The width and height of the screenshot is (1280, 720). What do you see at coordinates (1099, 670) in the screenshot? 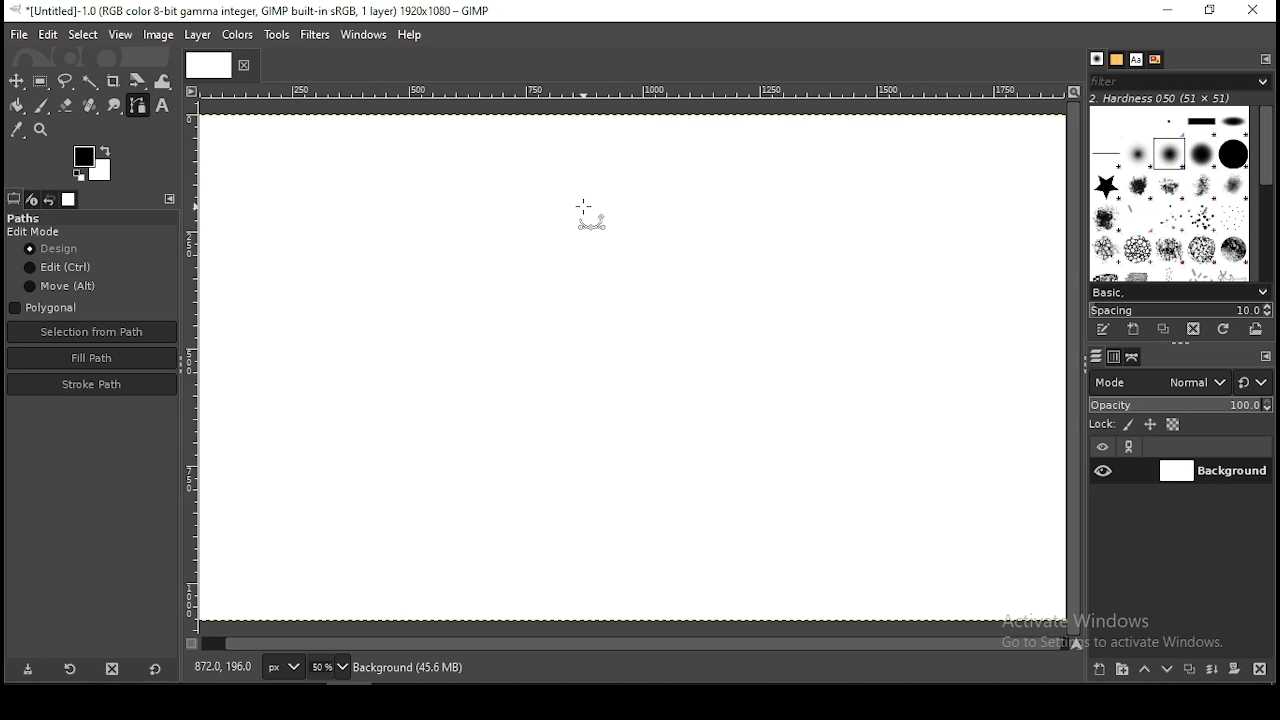
I see `create a new layer` at bounding box center [1099, 670].